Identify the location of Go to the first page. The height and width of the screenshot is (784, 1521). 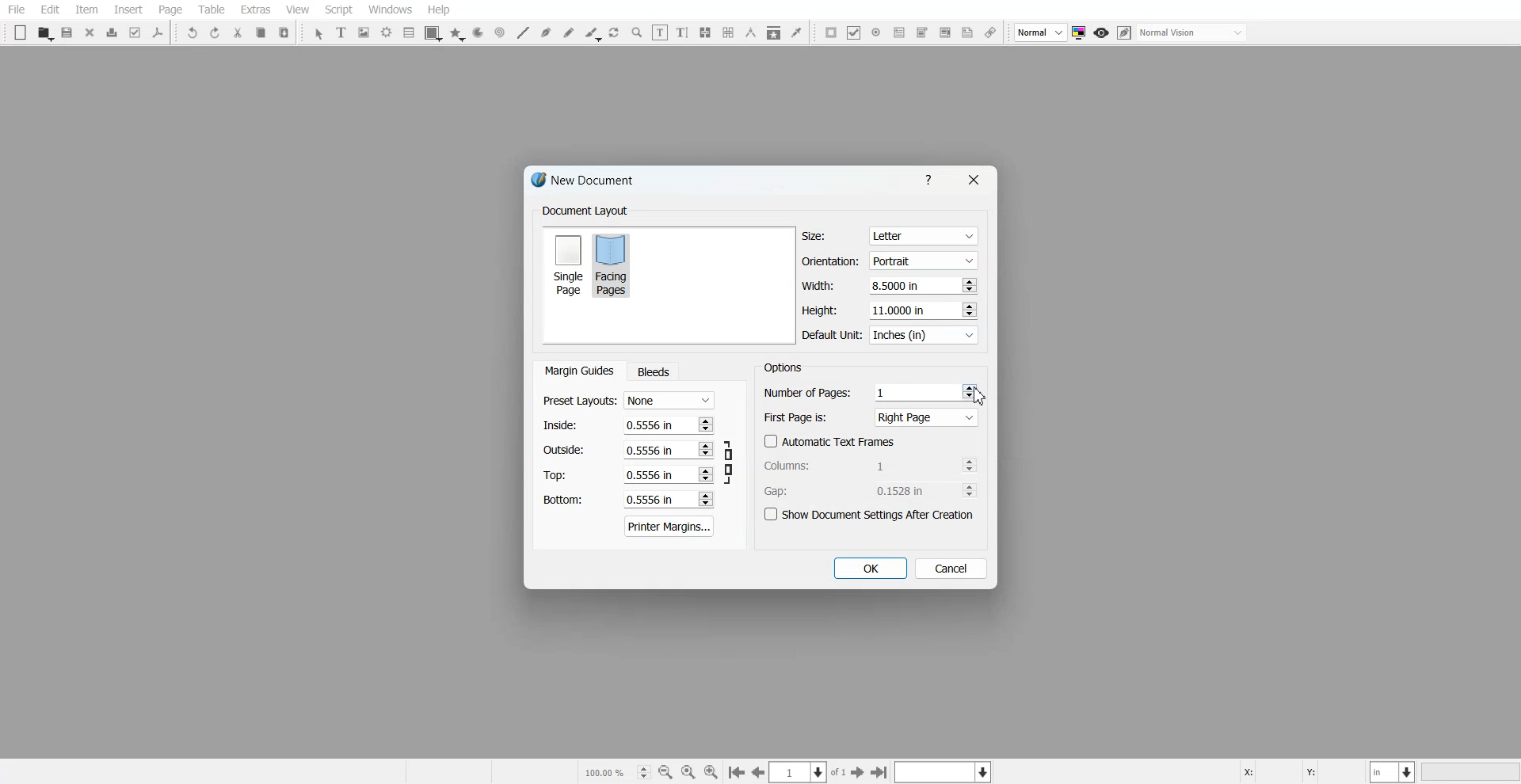
(736, 773).